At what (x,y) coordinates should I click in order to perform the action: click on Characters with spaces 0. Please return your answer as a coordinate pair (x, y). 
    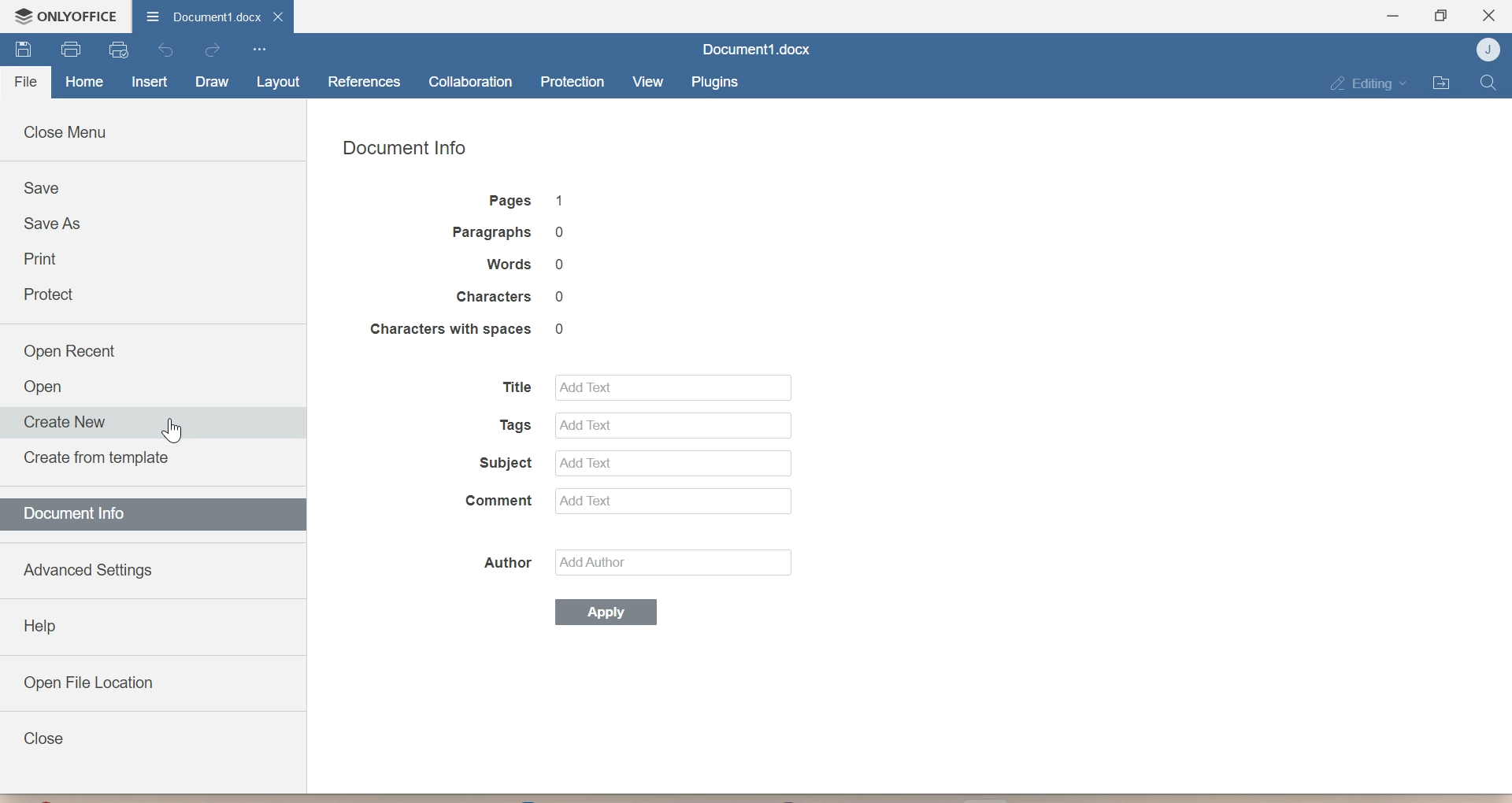
    Looking at the image, I should click on (472, 327).